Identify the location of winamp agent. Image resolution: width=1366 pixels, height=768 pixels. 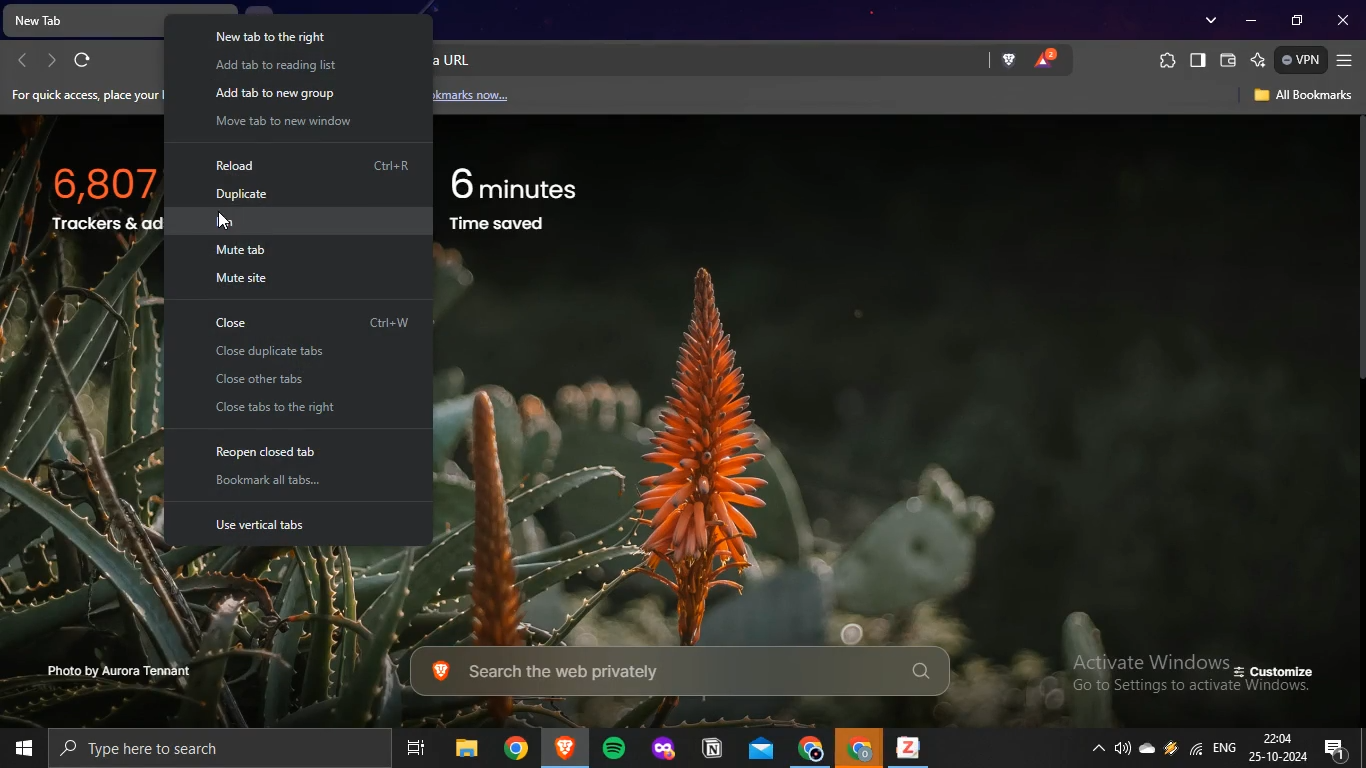
(1171, 746).